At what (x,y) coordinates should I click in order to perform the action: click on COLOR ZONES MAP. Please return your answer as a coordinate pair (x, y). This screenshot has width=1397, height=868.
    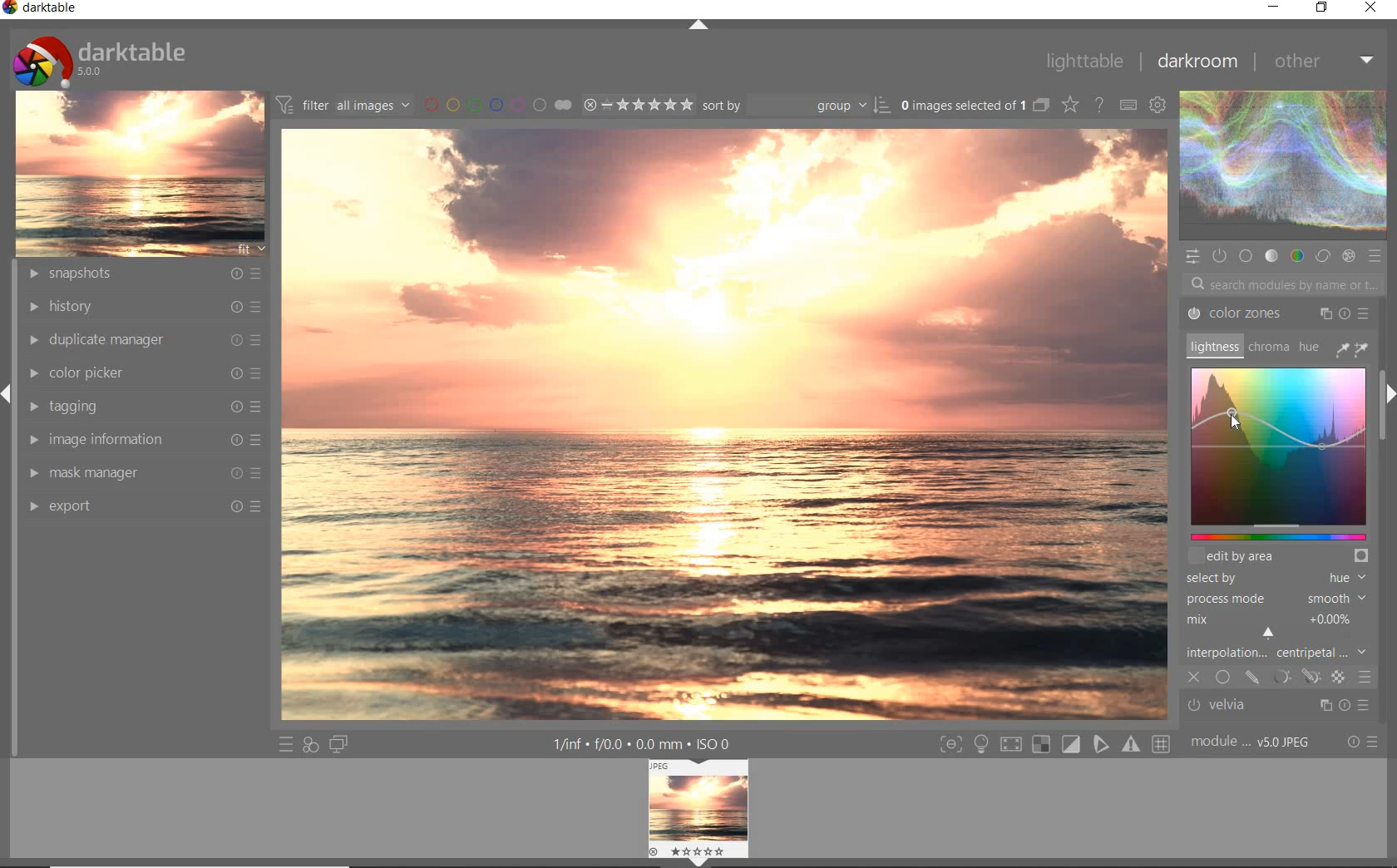
    Looking at the image, I should click on (1279, 451).